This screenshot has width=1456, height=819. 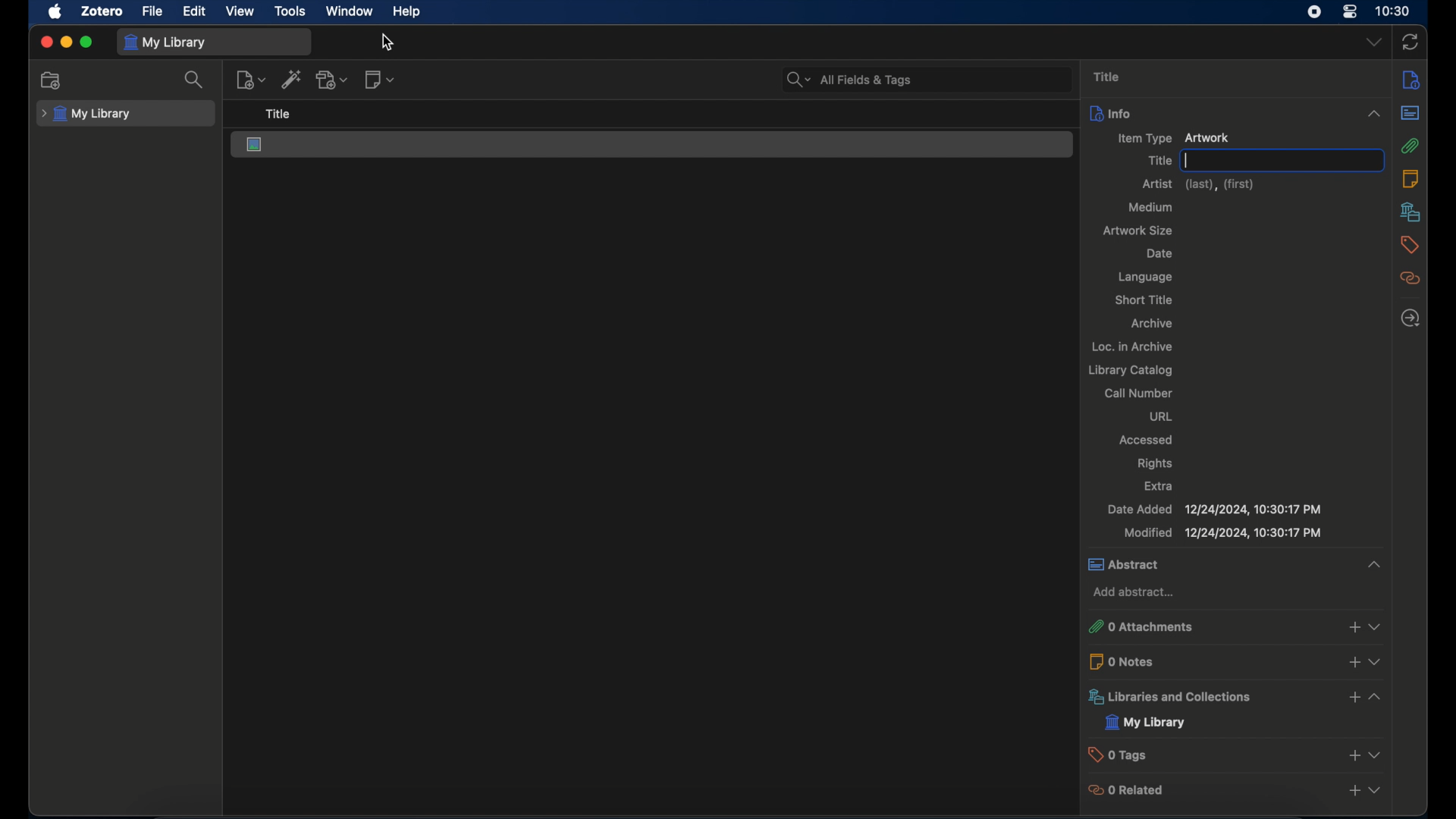 What do you see at coordinates (1382, 701) in the screenshot?
I see `expand section` at bounding box center [1382, 701].